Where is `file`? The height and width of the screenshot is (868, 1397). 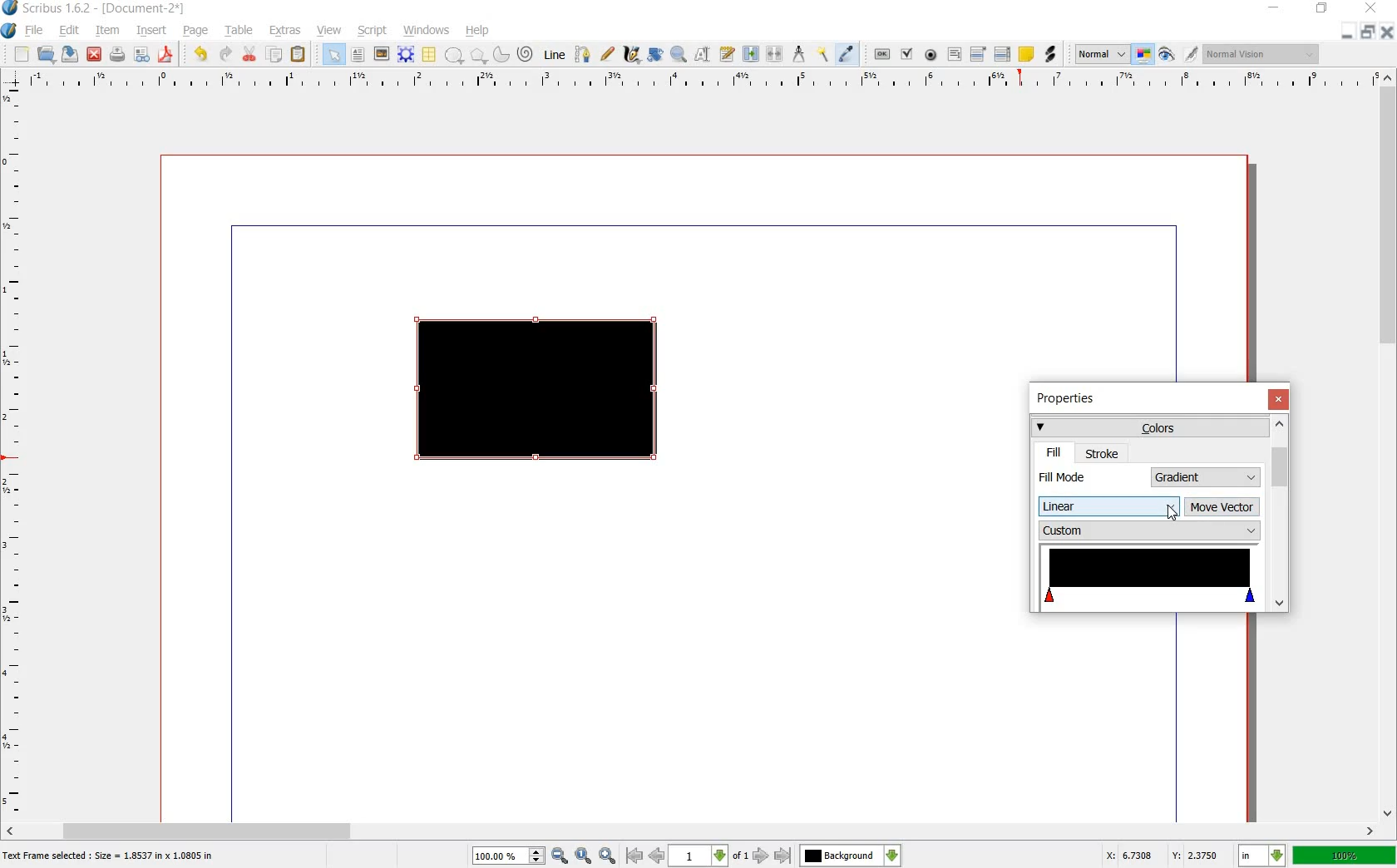 file is located at coordinates (37, 31).